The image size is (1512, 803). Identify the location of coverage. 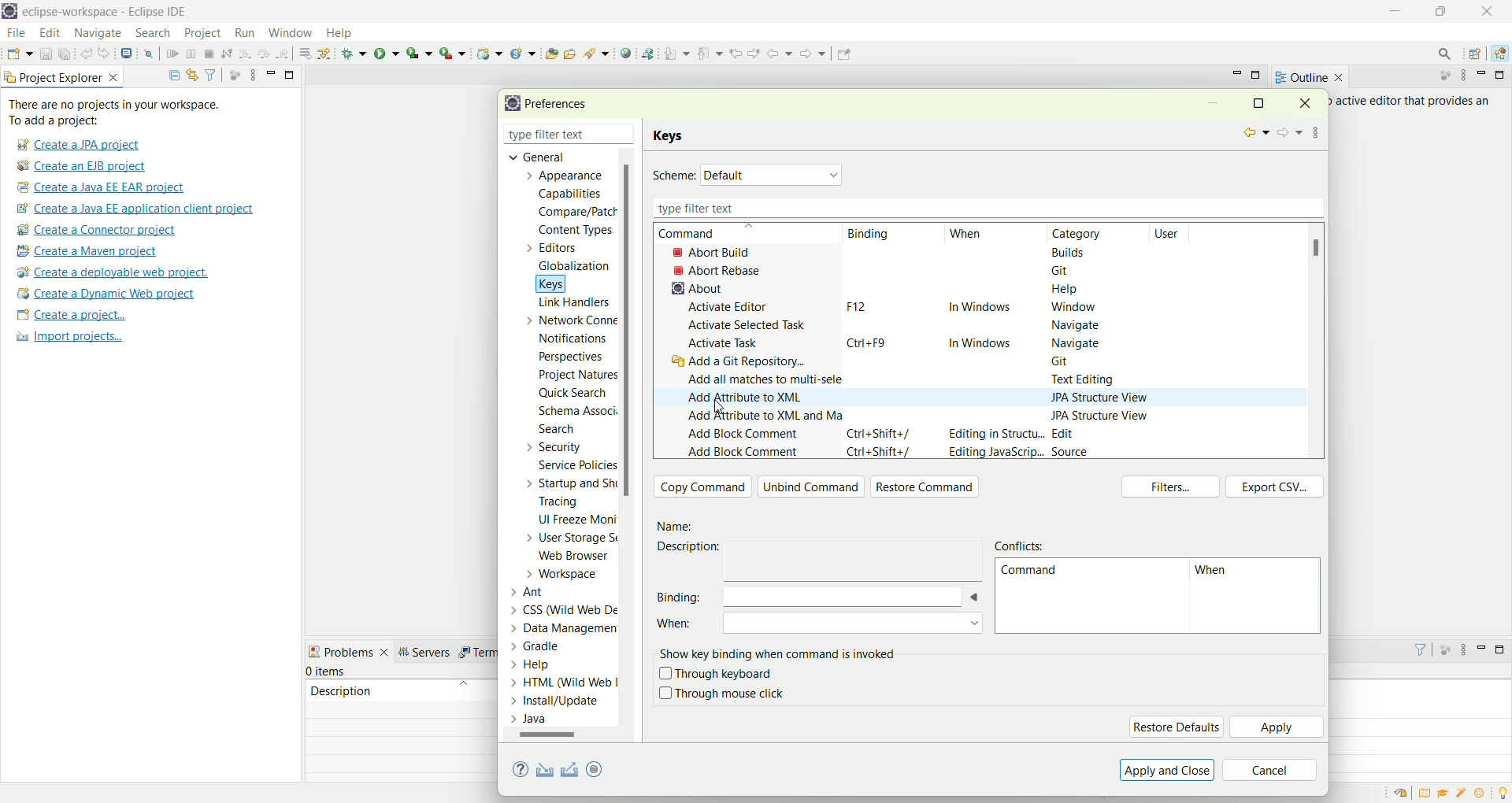
(419, 53).